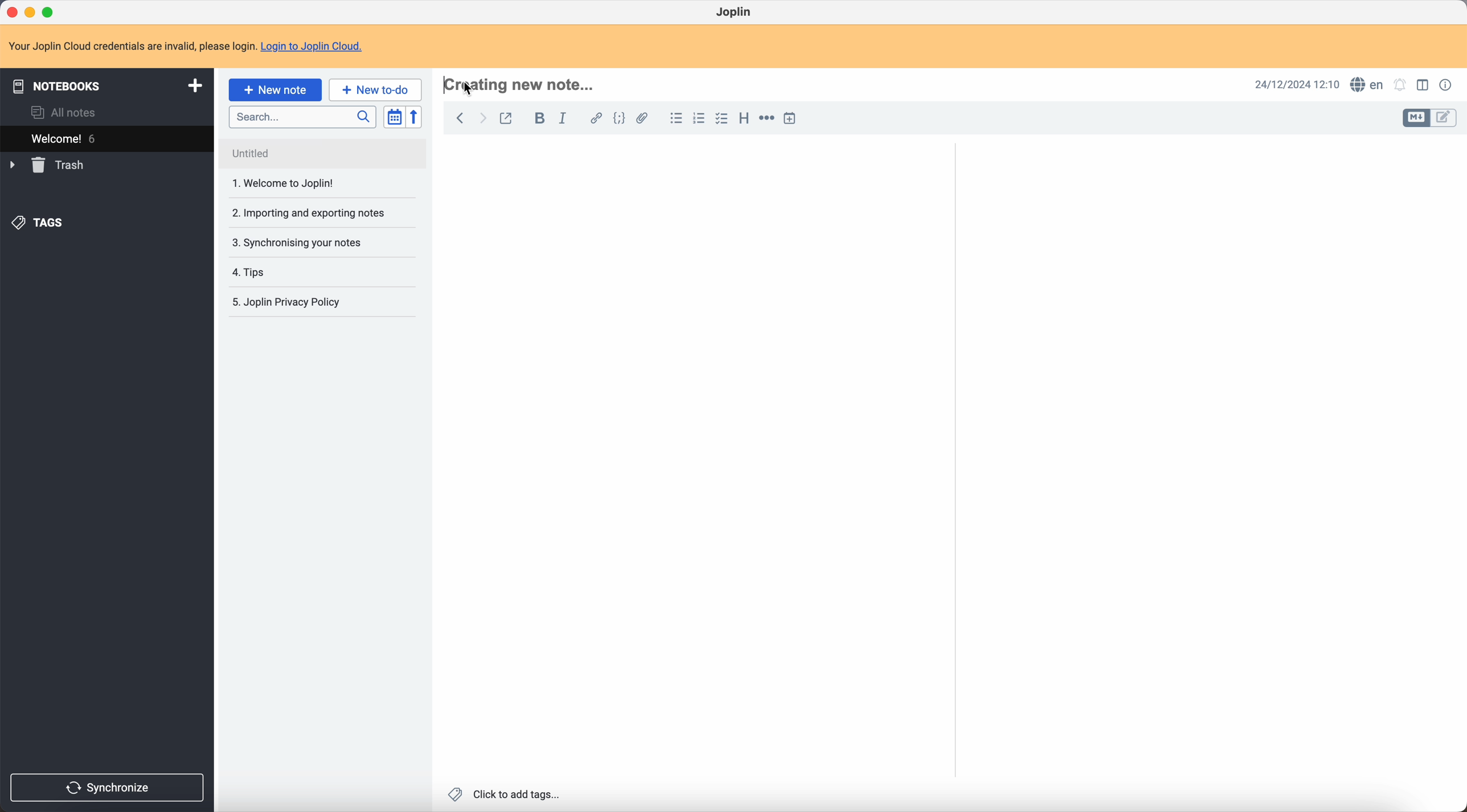 Image resolution: width=1467 pixels, height=812 pixels. What do you see at coordinates (416, 117) in the screenshot?
I see `reverse sort order` at bounding box center [416, 117].